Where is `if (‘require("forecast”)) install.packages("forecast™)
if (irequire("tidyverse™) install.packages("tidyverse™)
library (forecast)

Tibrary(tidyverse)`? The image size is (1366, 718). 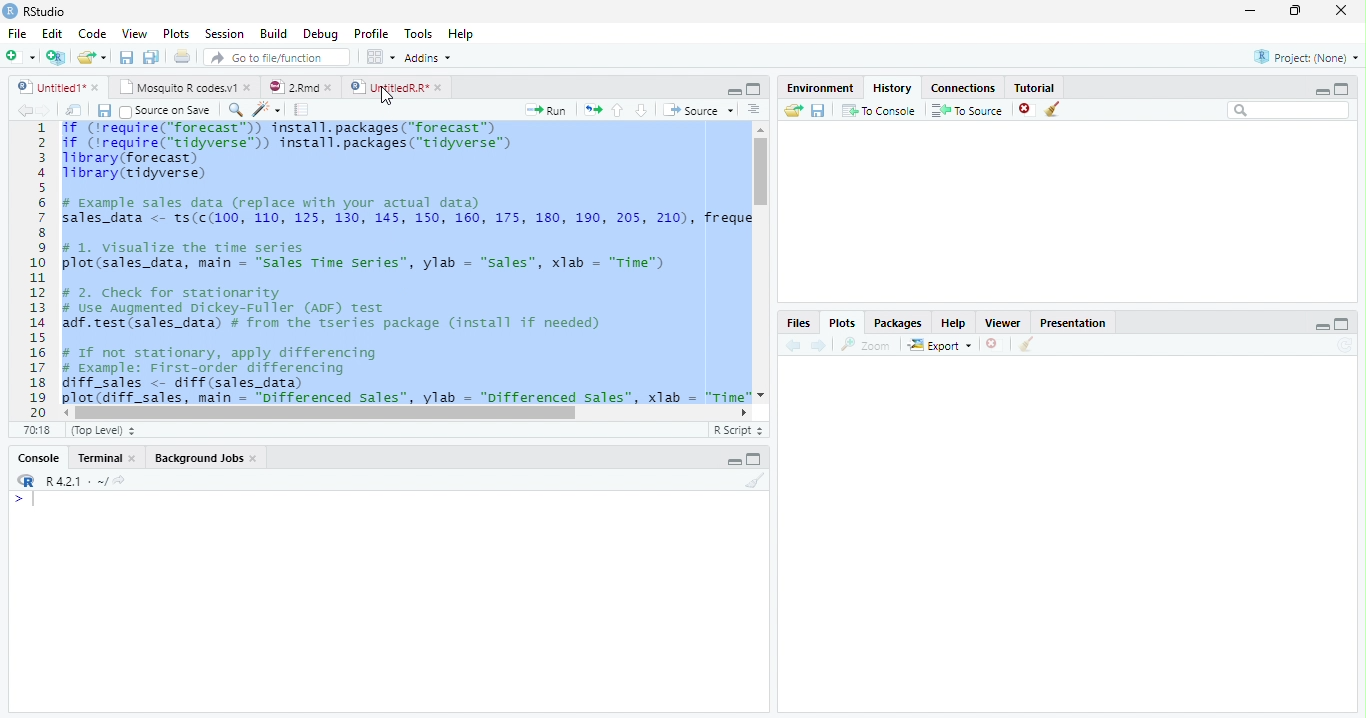 if (‘require("forecast”)) install.packages("forecast™)
if (irequire("tidyverse™) install.packages("tidyverse™)
library (forecast)

Tibrary(tidyverse) is located at coordinates (299, 151).